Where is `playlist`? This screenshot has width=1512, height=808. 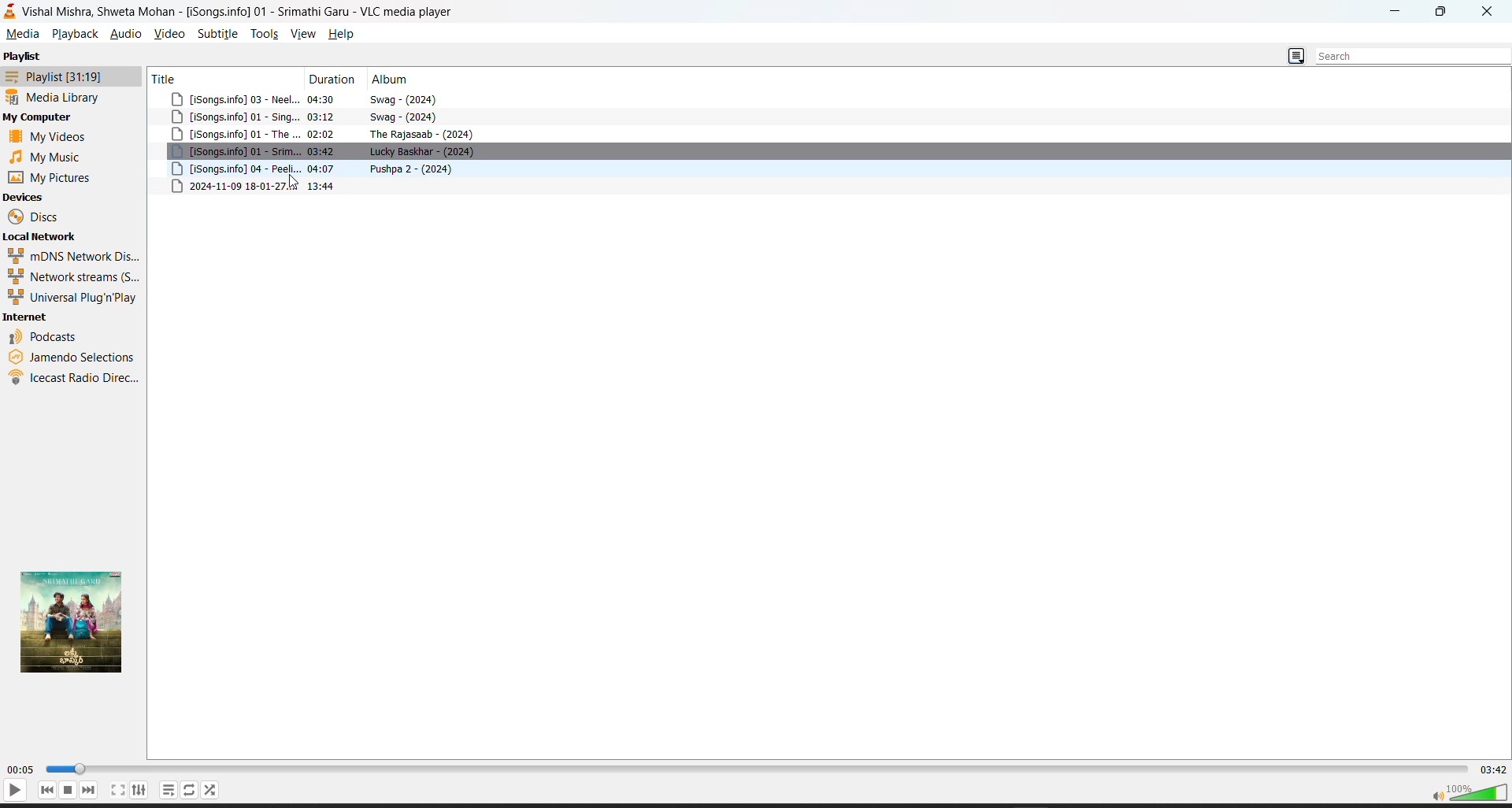
playlist is located at coordinates (53, 76).